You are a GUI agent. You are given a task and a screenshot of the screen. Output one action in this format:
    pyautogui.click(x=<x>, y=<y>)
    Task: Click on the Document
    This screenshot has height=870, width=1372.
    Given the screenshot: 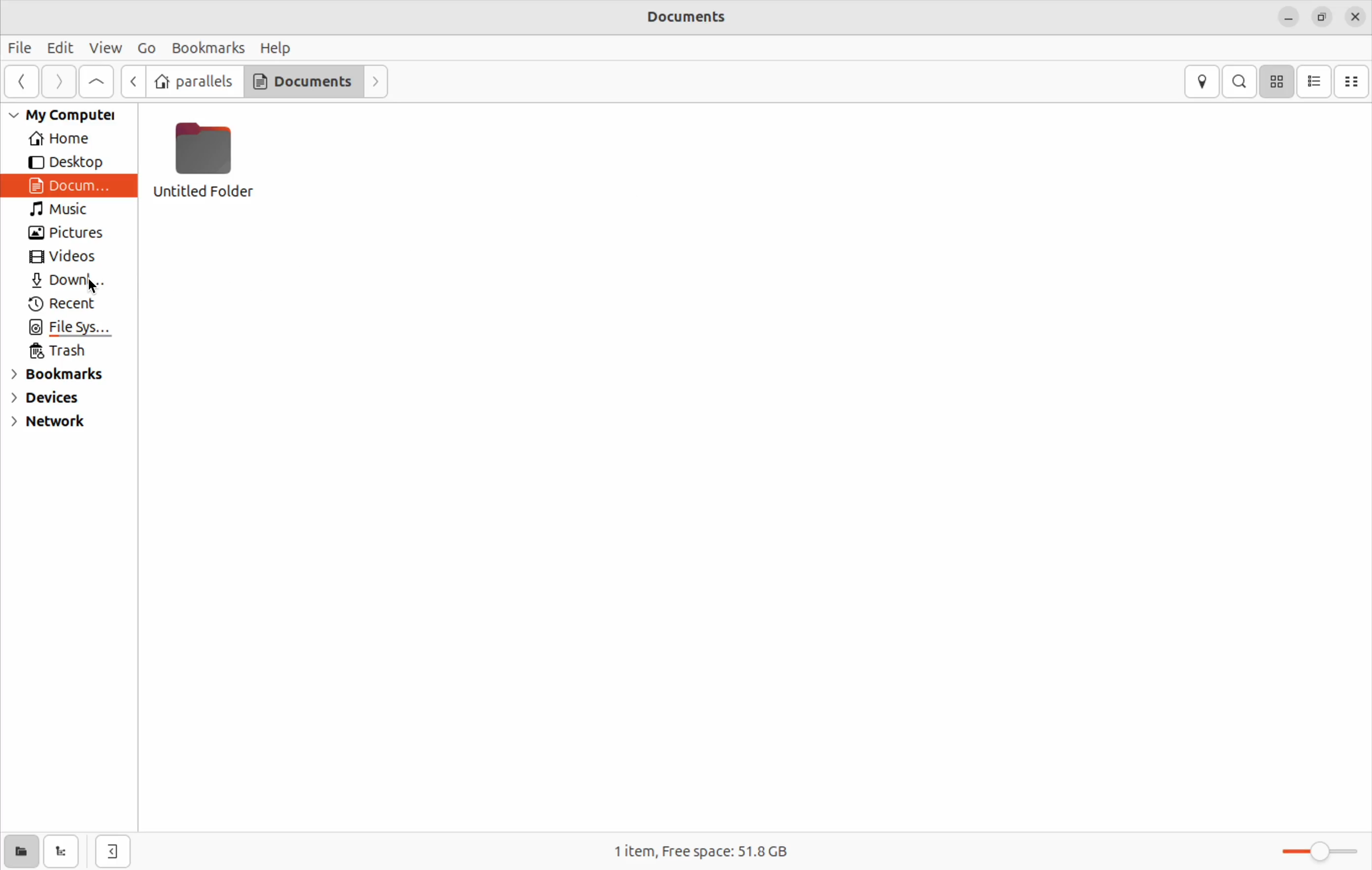 What is the action you would take?
    pyautogui.click(x=71, y=187)
    